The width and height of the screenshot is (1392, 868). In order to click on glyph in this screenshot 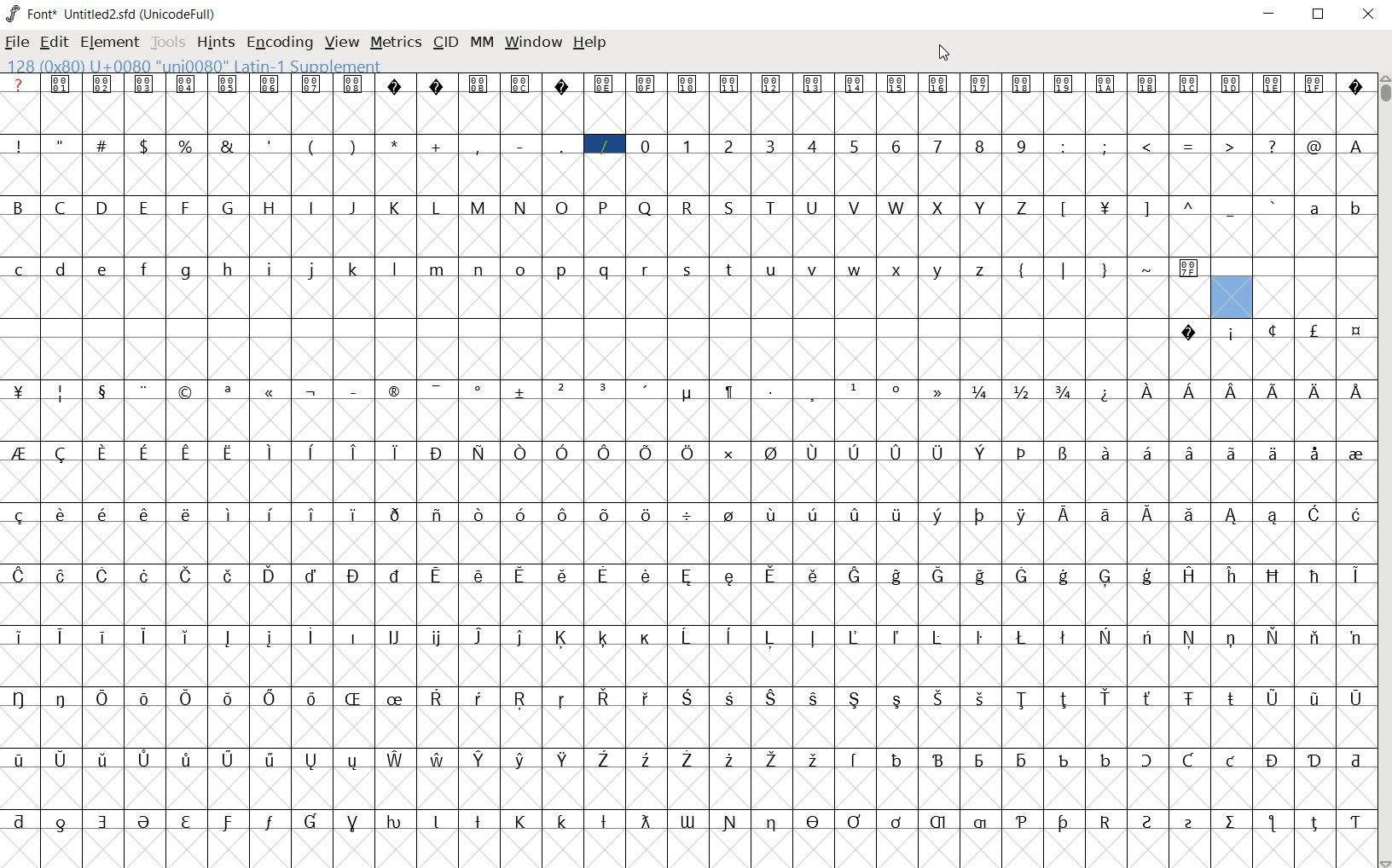, I will do `click(60, 143)`.